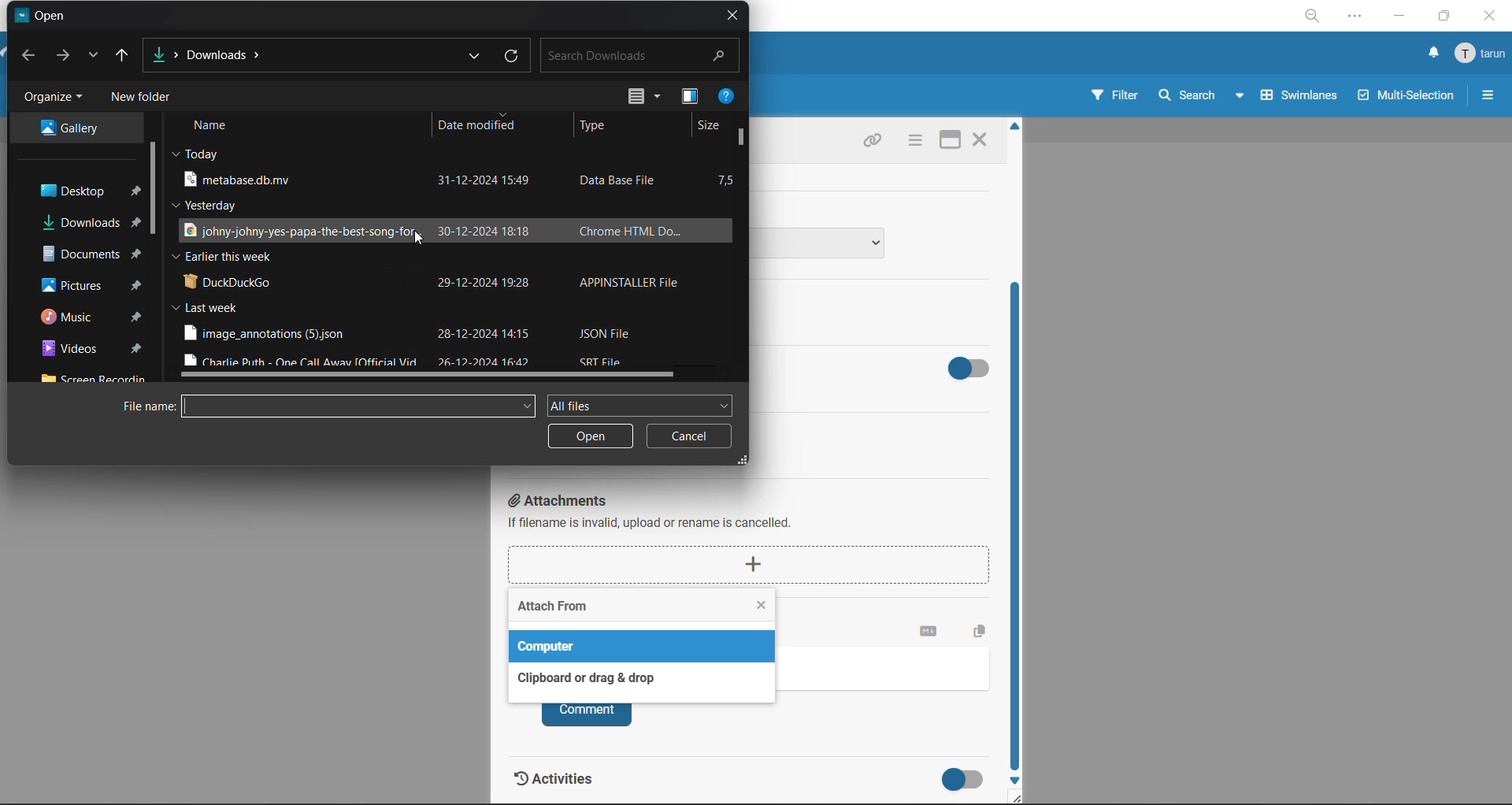 The height and width of the screenshot is (805, 1512). What do you see at coordinates (984, 629) in the screenshot?
I see `copy` at bounding box center [984, 629].